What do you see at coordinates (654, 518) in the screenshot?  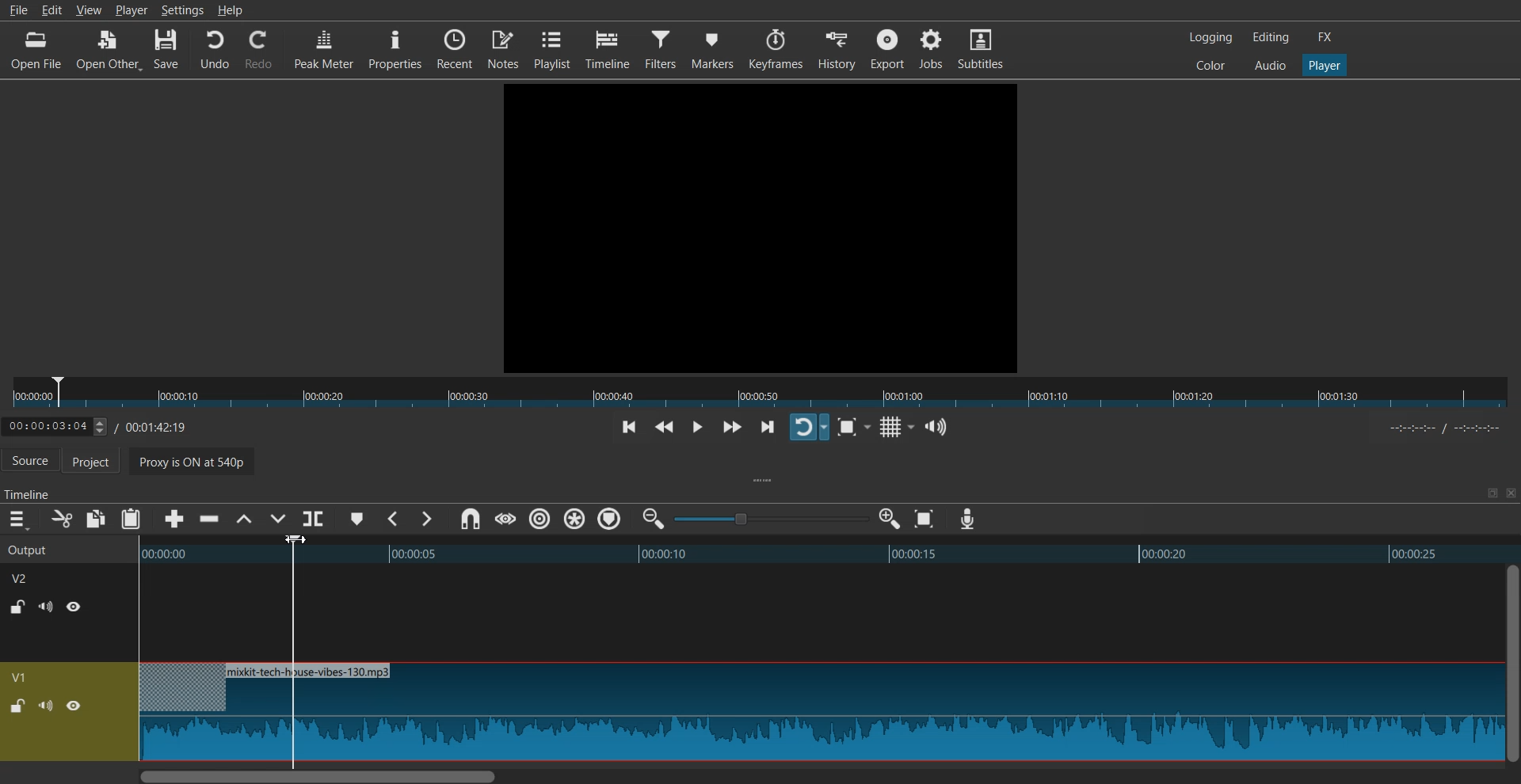 I see `Zoom timeline out` at bounding box center [654, 518].